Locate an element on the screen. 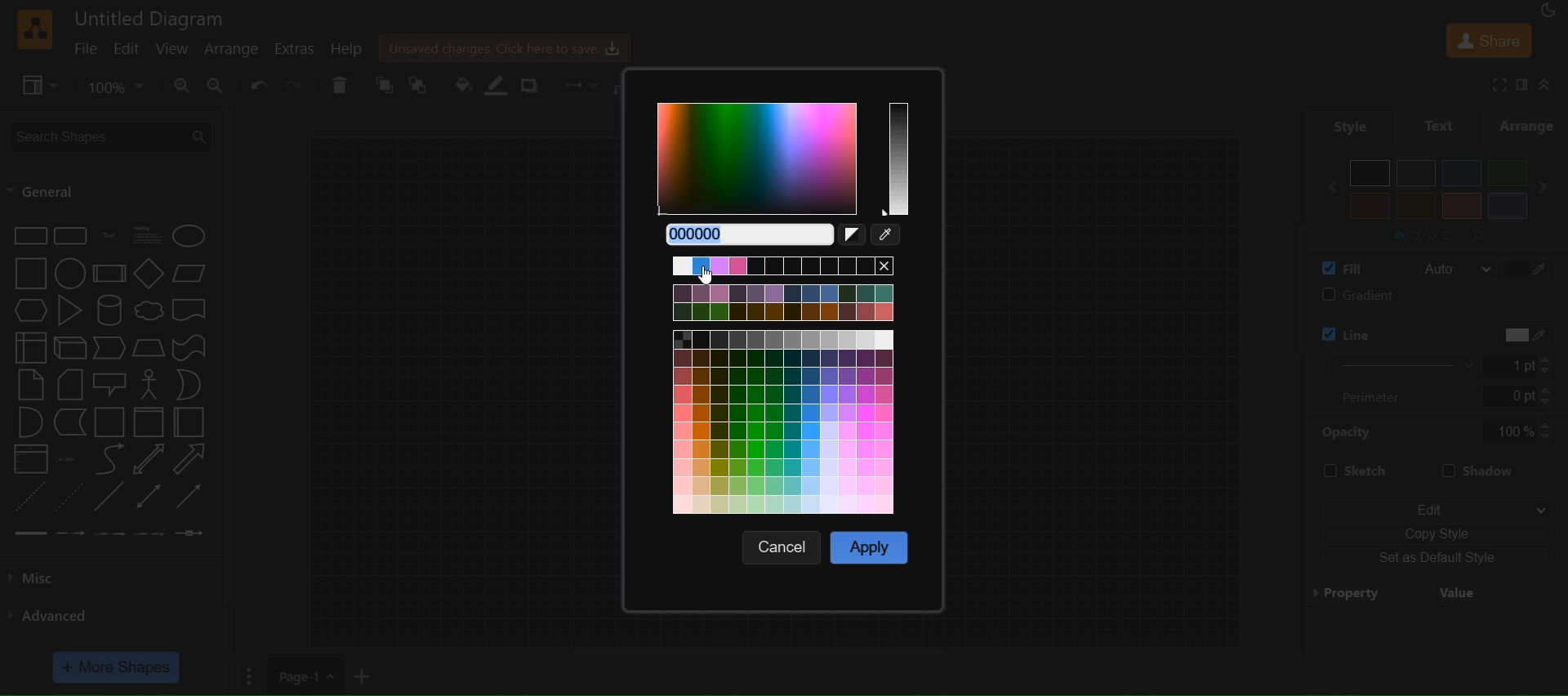  container is located at coordinates (111, 423).